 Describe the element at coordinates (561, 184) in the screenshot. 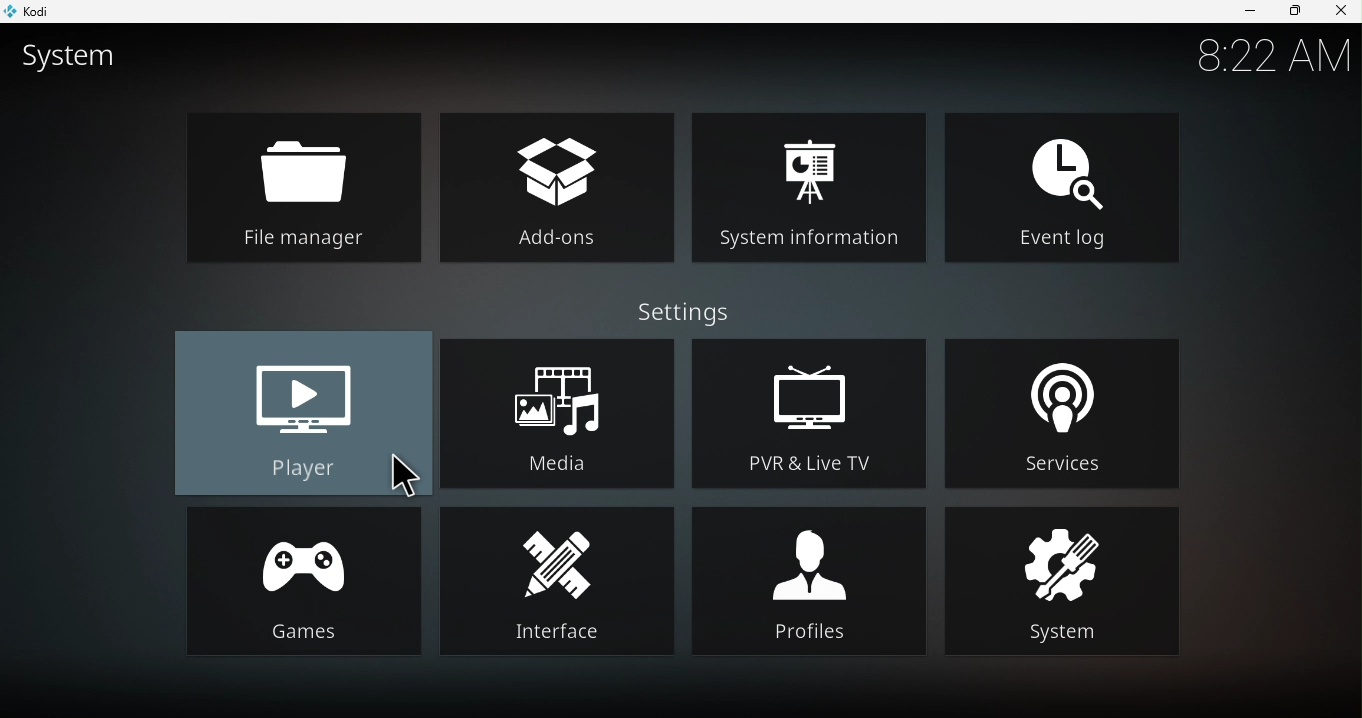

I see `Add-ons` at that location.